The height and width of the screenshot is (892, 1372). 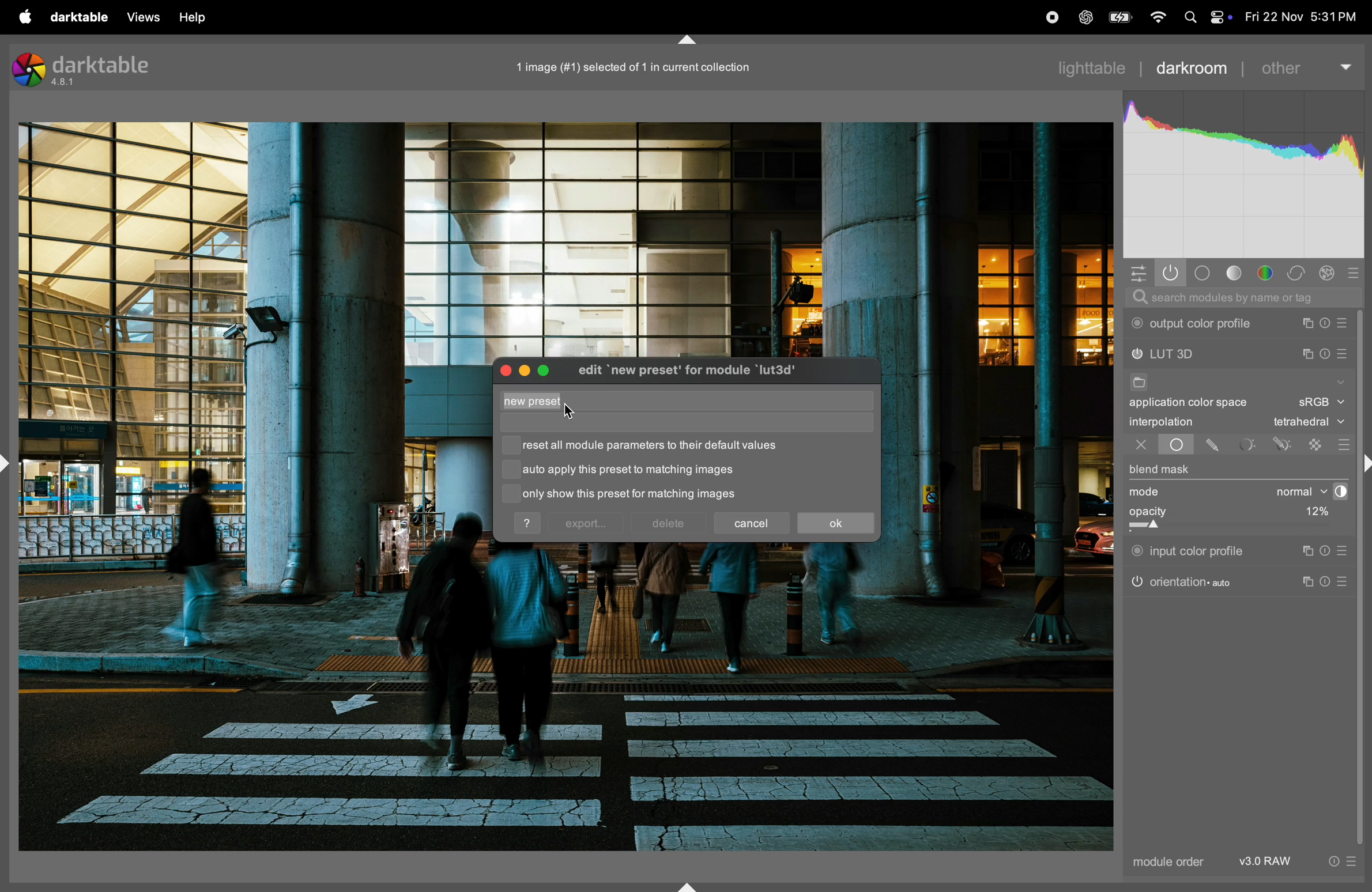 What do you see at coordinates (1305, 63) in the screenshot?
I see `other` at bounding box center [1305, 63].